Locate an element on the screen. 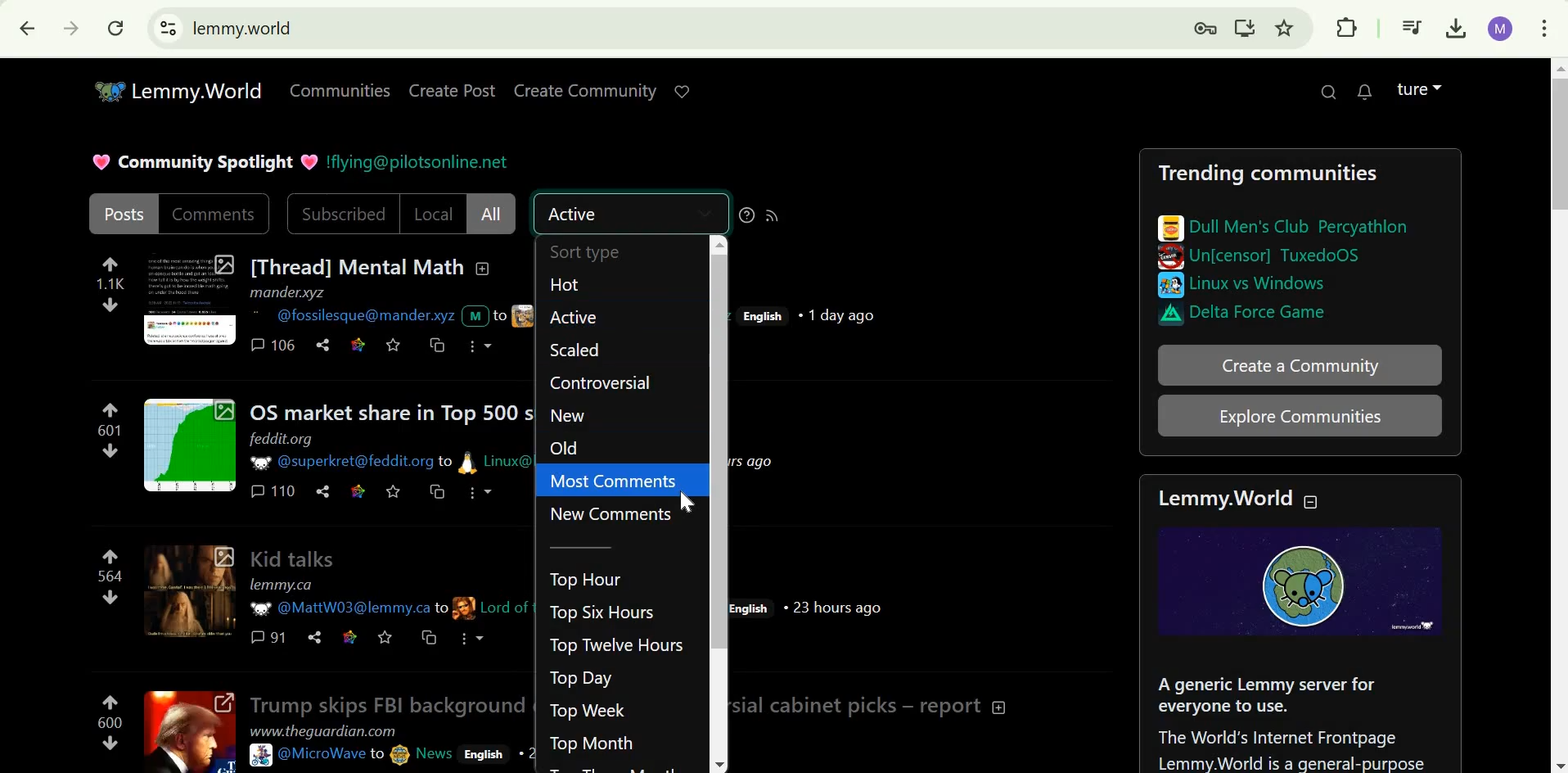  0 unread messages is located at coordinates (1369, 92).